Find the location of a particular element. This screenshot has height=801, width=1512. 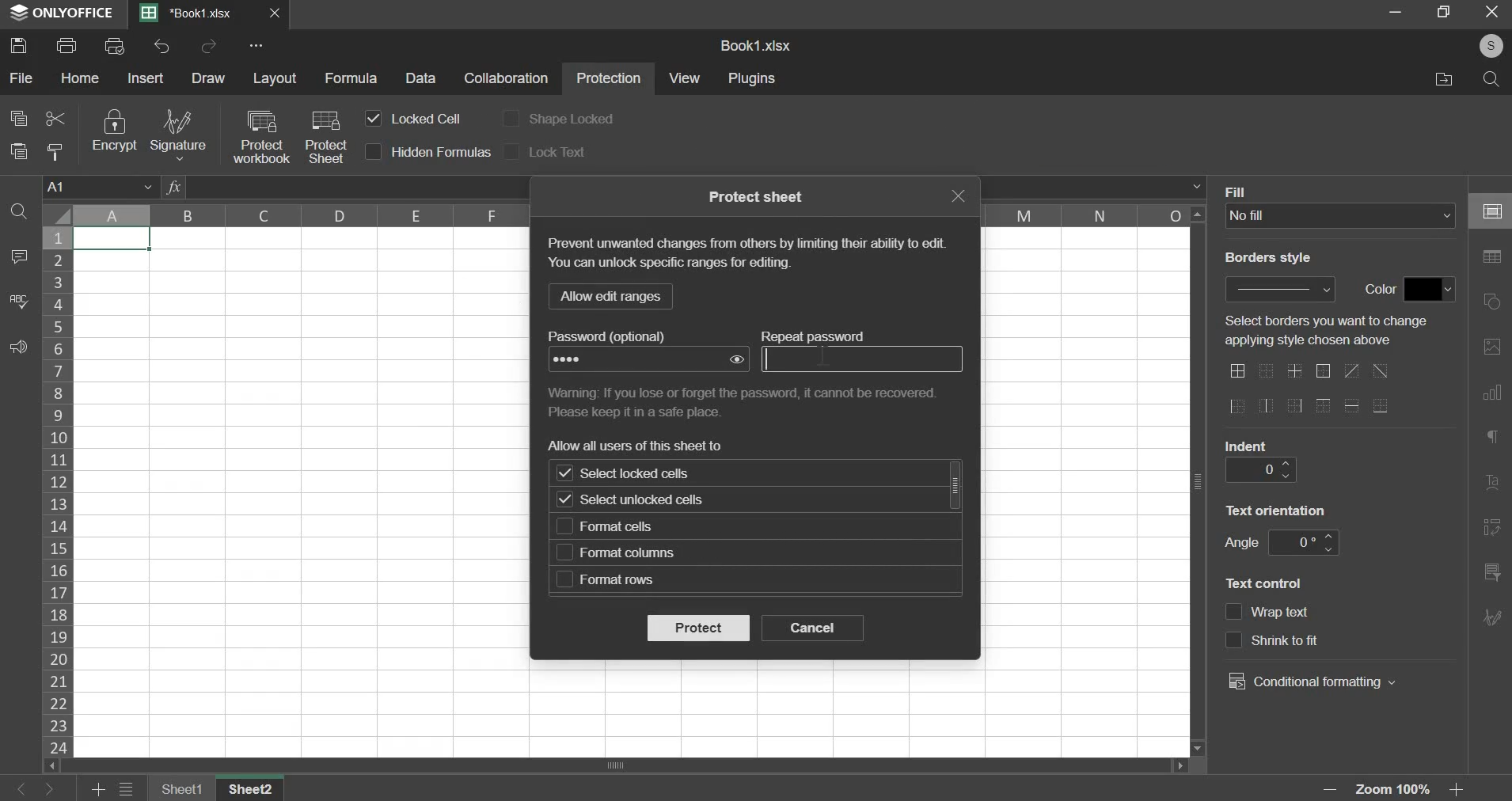

format rows is located at coordinates (617, 580).